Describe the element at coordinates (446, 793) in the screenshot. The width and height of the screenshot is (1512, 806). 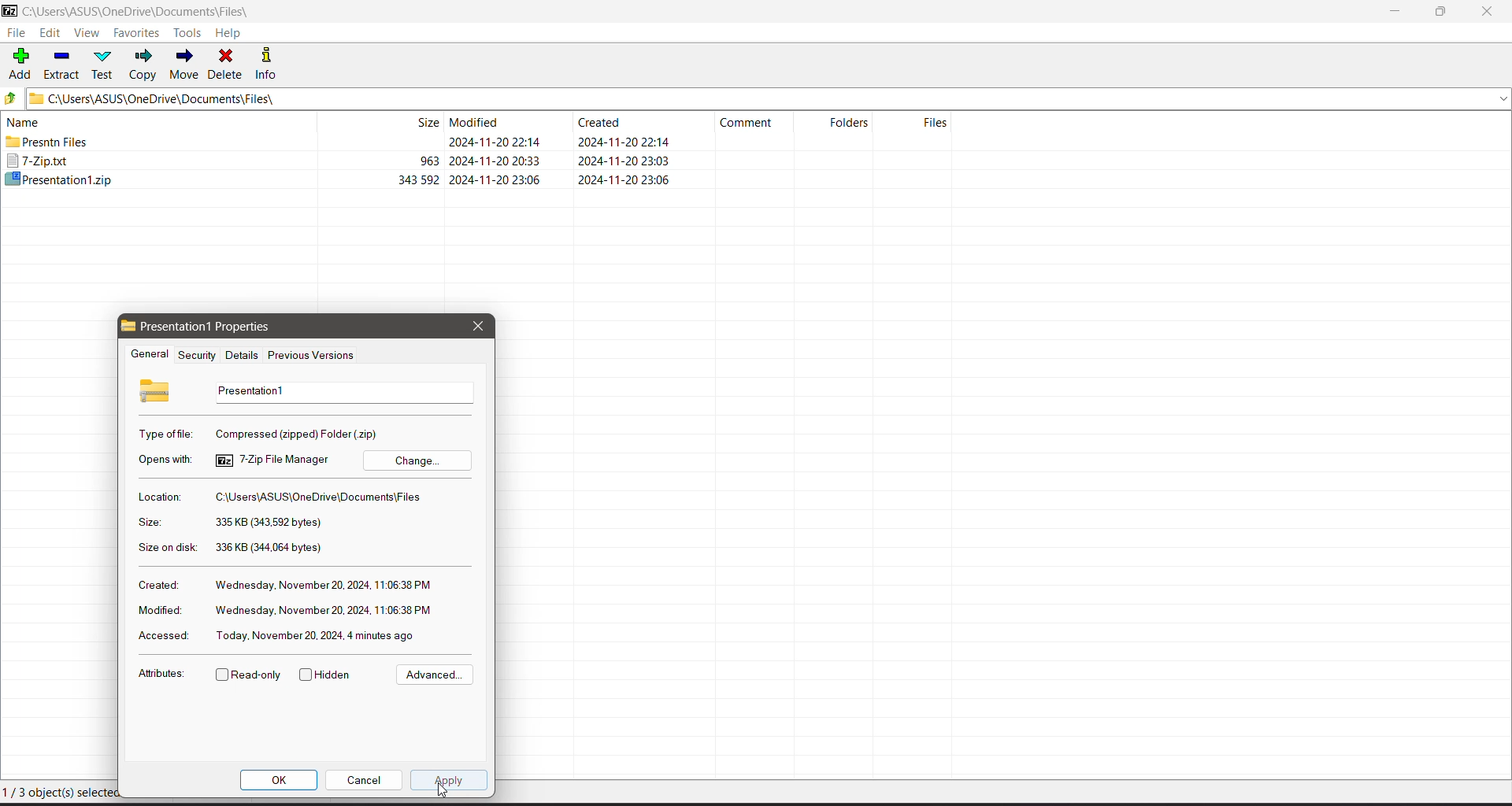
I see `cursor` at that location.